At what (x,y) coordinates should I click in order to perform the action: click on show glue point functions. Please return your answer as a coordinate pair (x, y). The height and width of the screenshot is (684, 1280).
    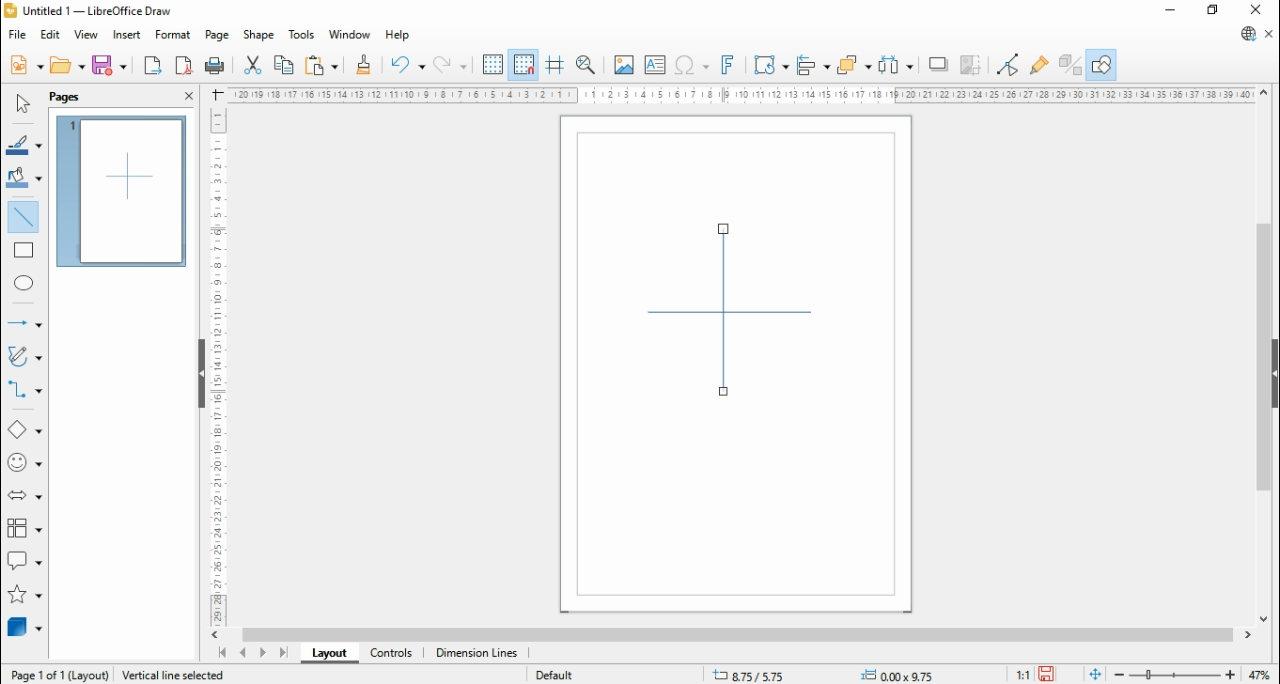
    Looking at the image, I should click on (1038, 64).